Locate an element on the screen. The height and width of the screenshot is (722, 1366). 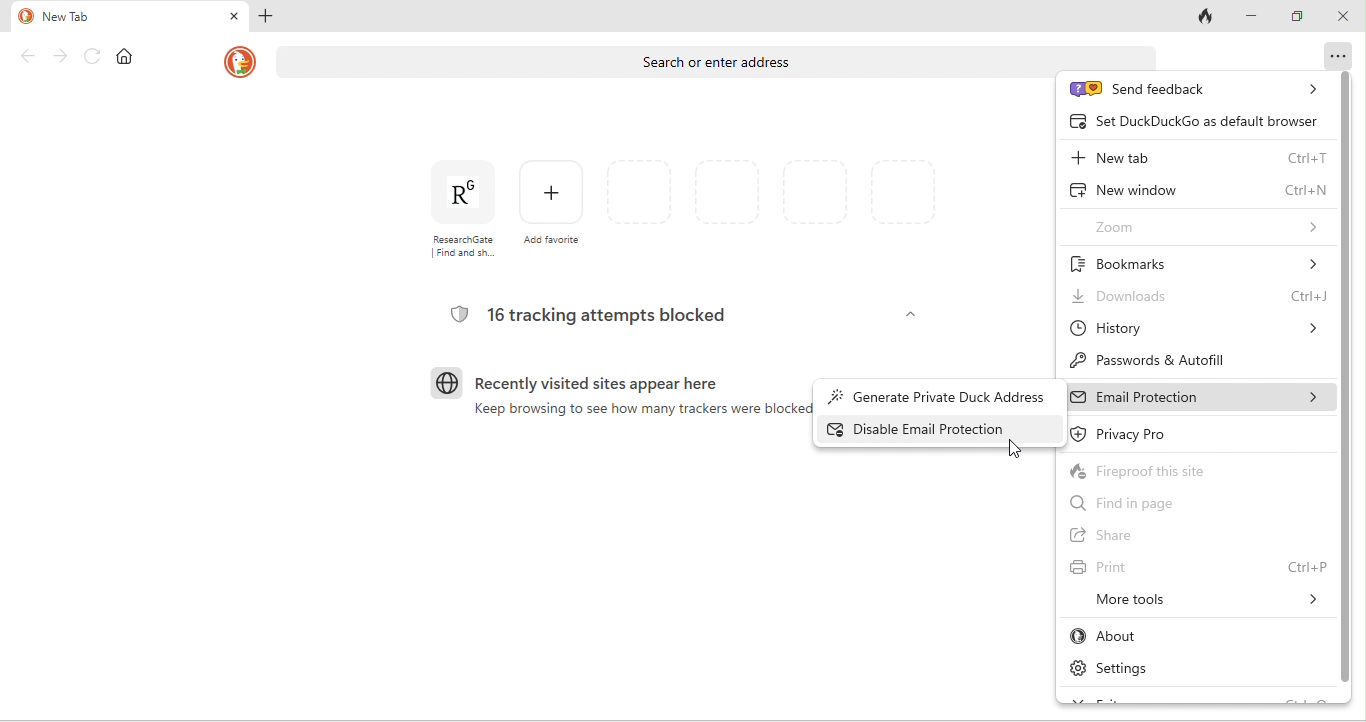
email protection is located at coordinates (1199, 398).